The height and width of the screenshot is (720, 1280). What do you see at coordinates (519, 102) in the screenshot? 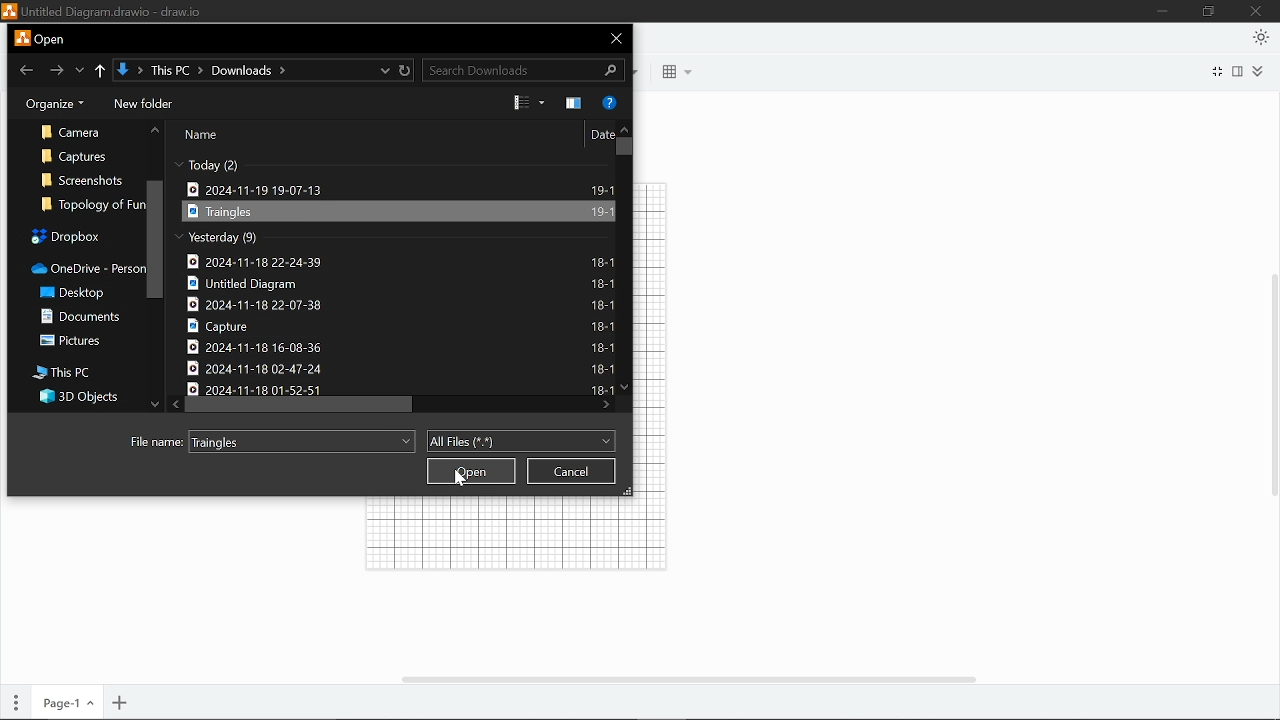
I see `Change view` at bounding box center [519, 102].